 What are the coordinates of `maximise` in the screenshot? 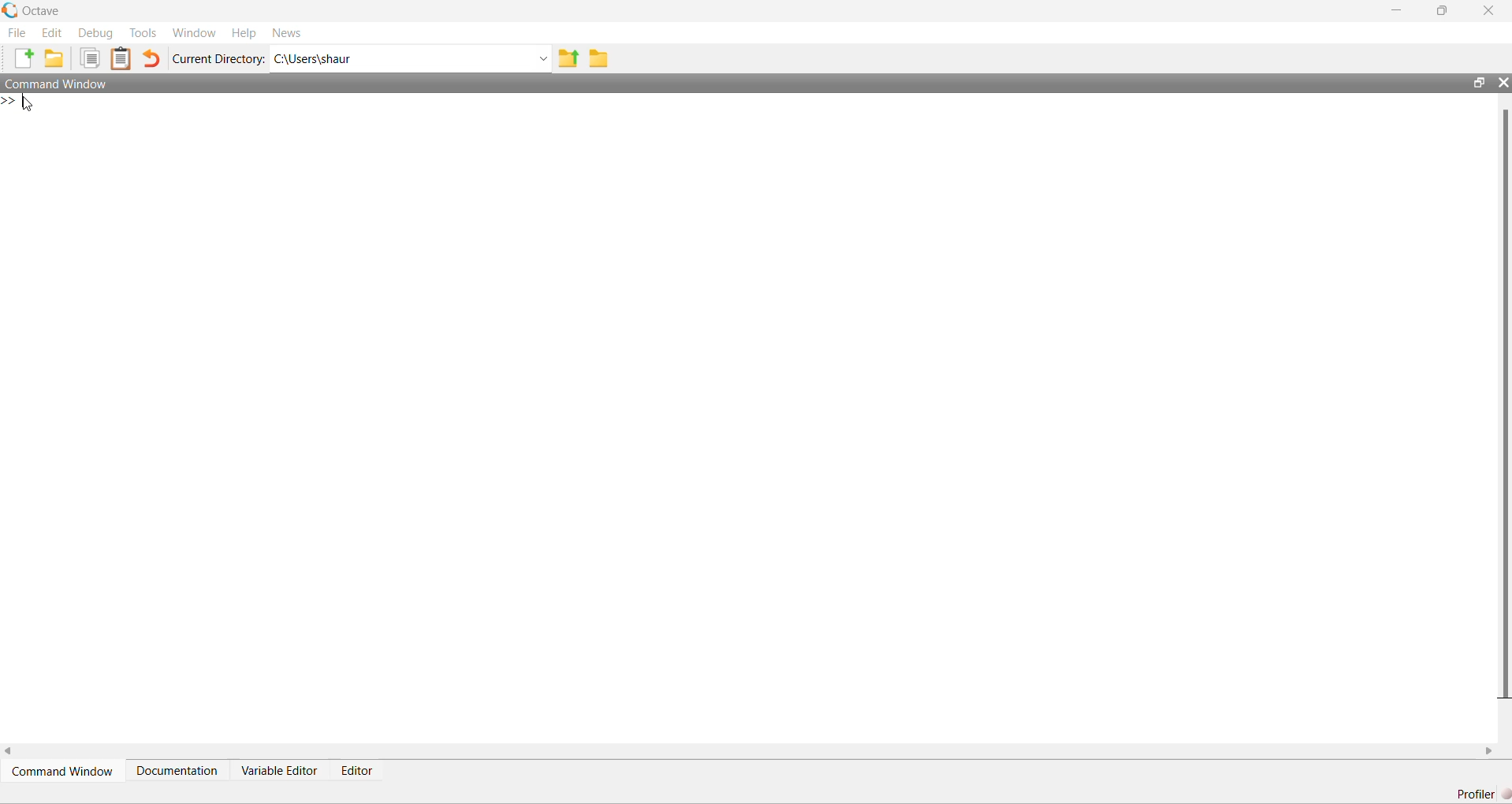 It's located at (1443, 9).